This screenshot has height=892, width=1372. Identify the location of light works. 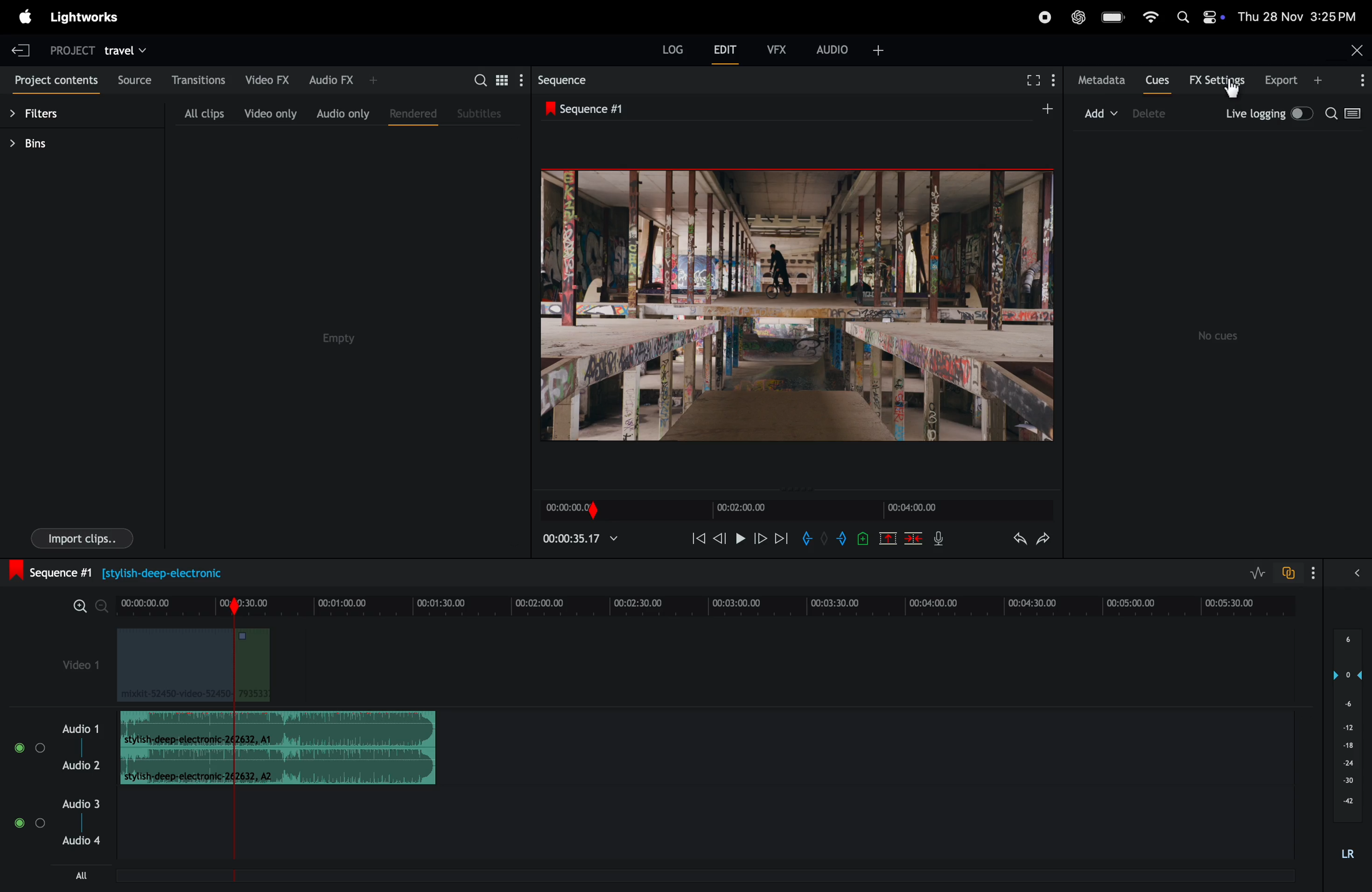
(25, 16).